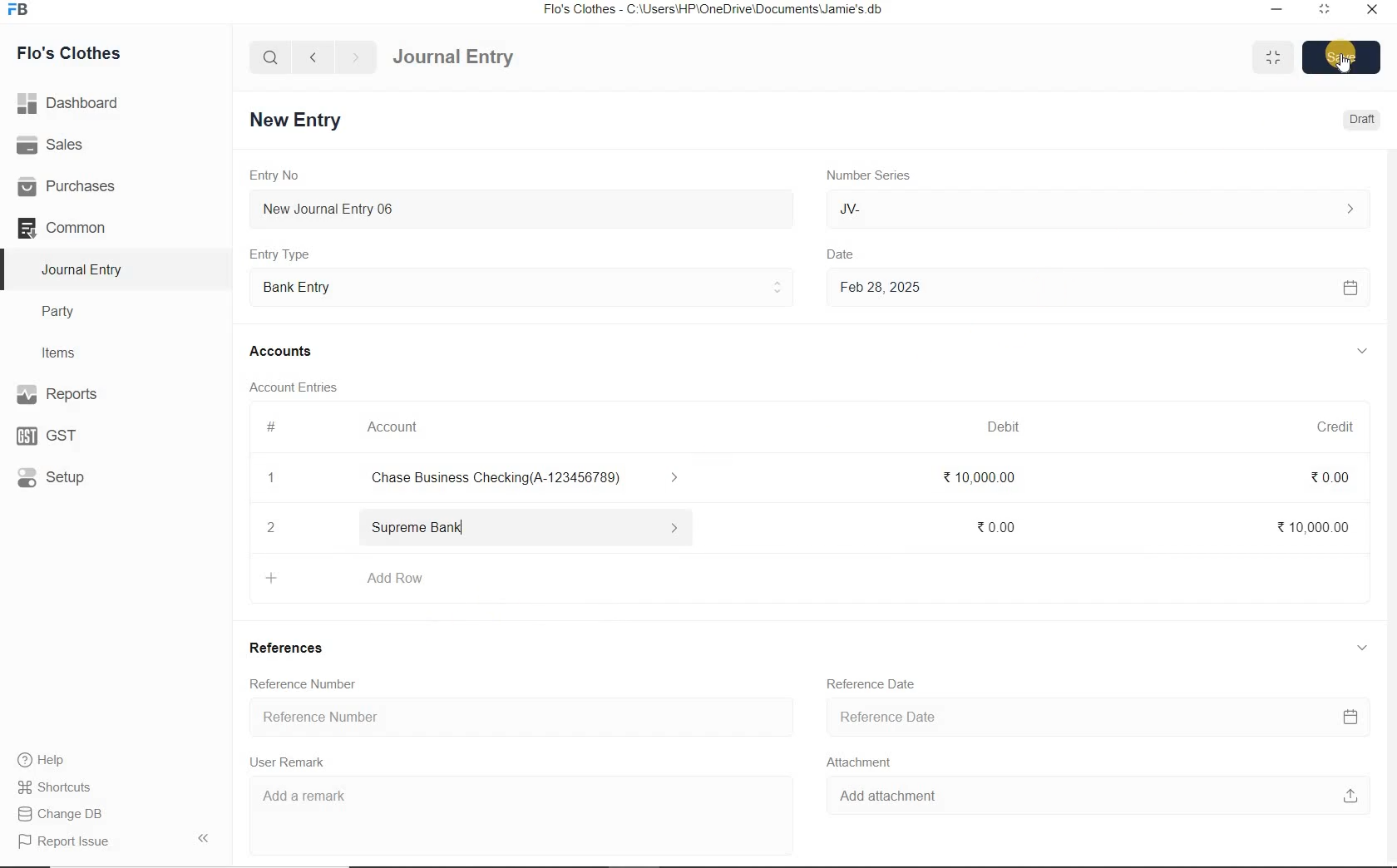 This screenshot has width=1397, height=868. I want to click on Flo's Clothes, so click(81, 53).